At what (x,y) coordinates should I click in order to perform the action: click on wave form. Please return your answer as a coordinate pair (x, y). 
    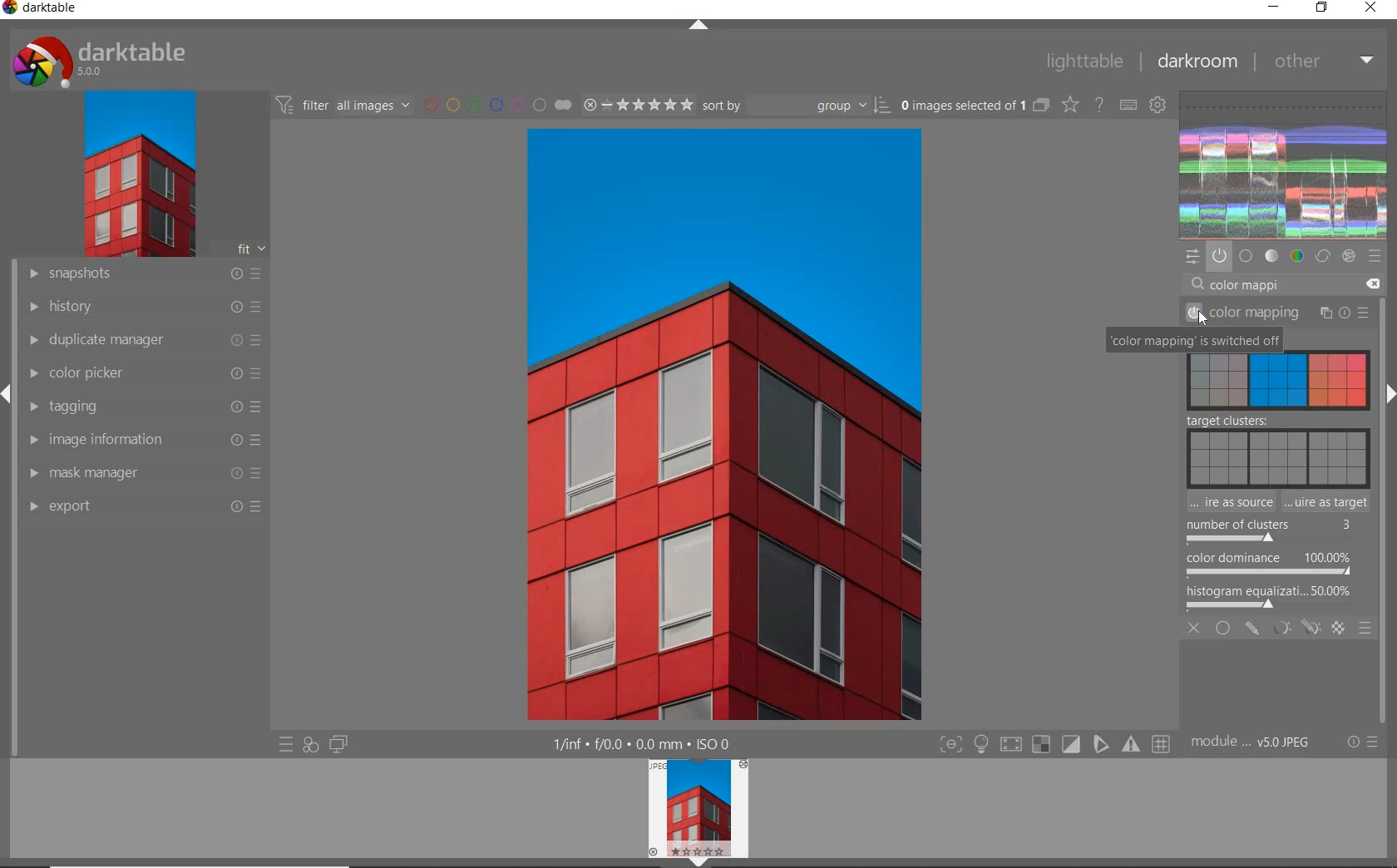
    Looking at the image, I should click on (1284, 165).